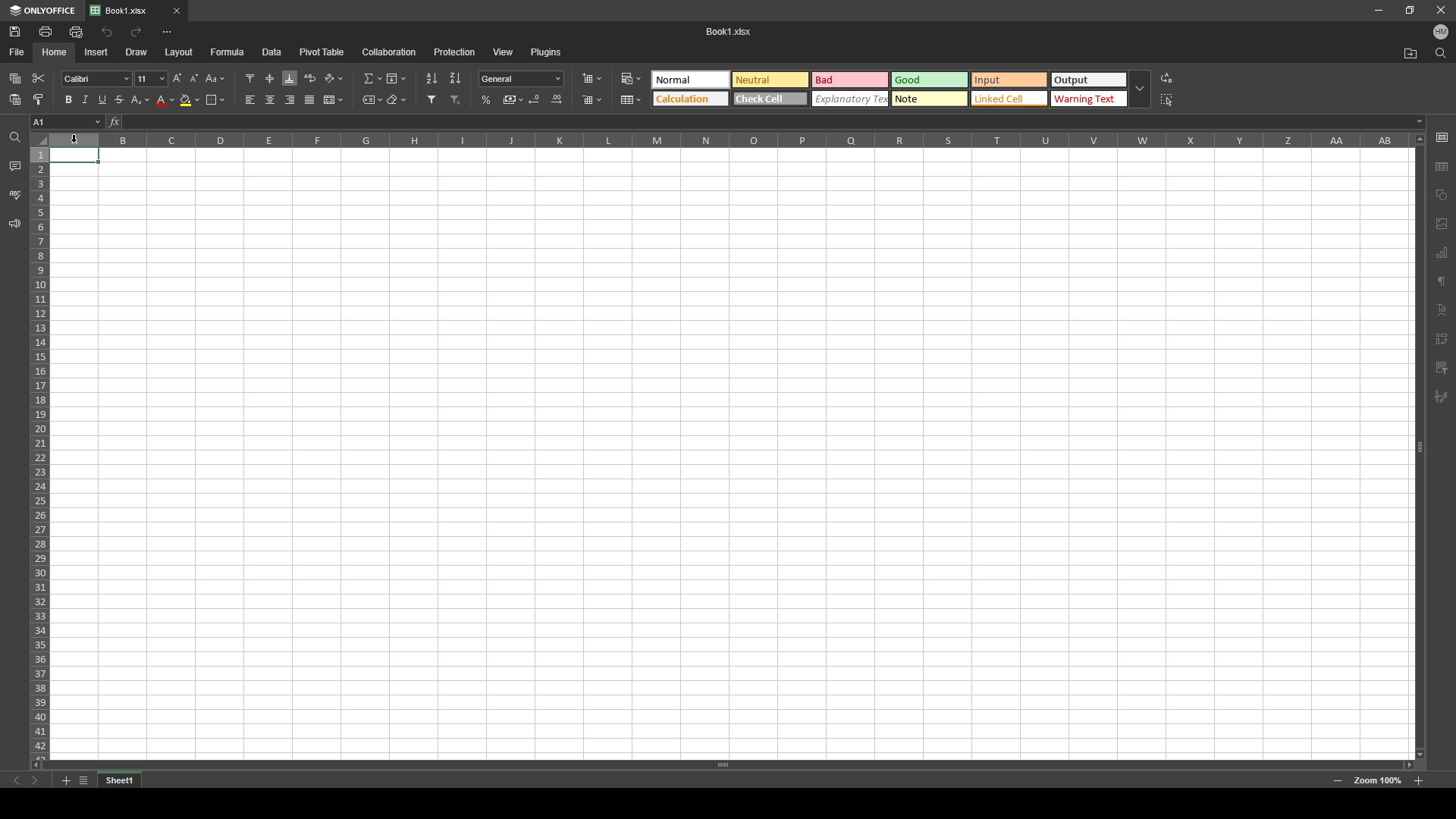 This screenshot has width=1456, height=819. I want to click on decrease decimal, so click(536, 99).